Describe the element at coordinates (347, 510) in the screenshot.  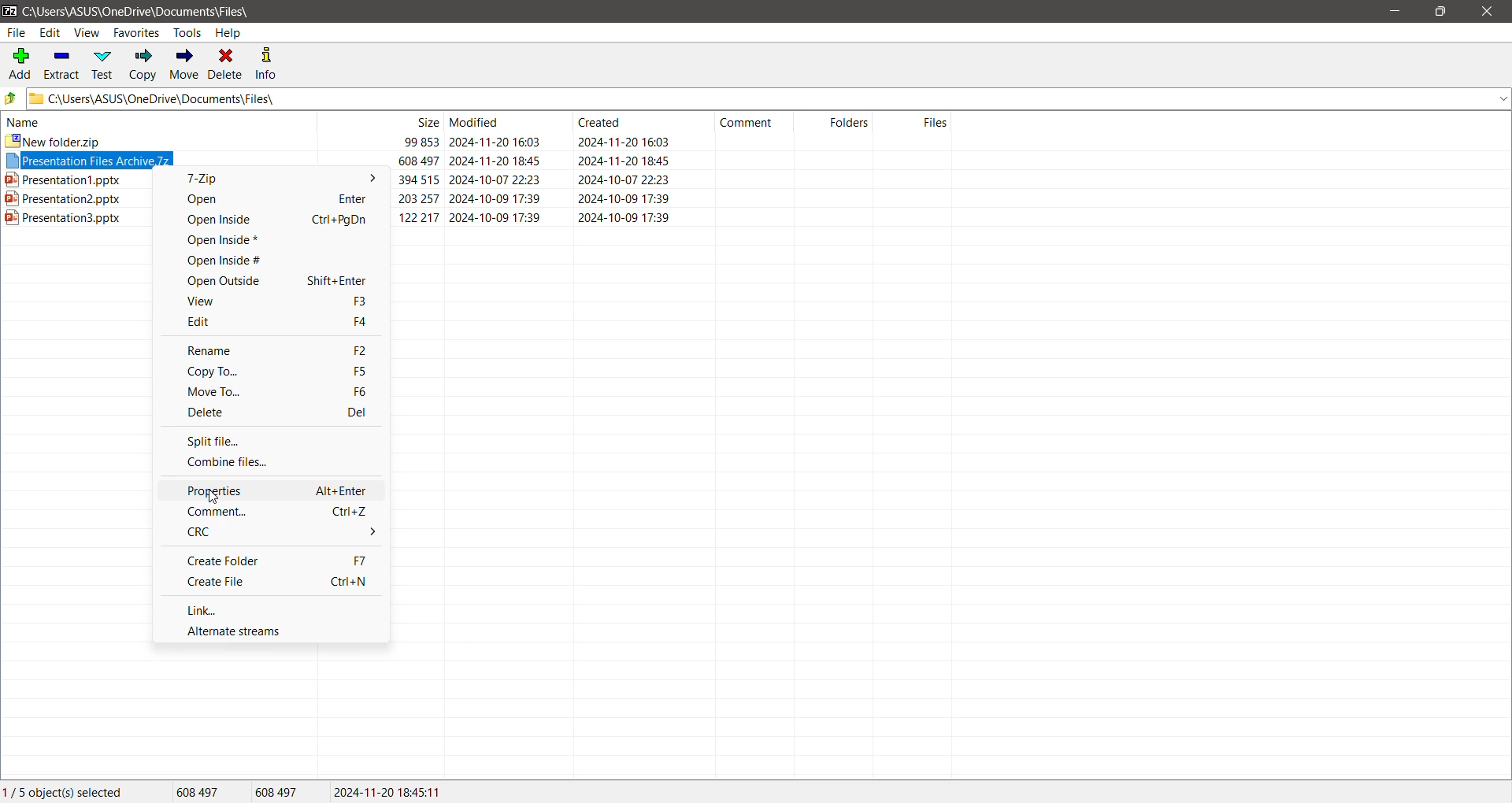
I see `Ctrl+Z` at that location.